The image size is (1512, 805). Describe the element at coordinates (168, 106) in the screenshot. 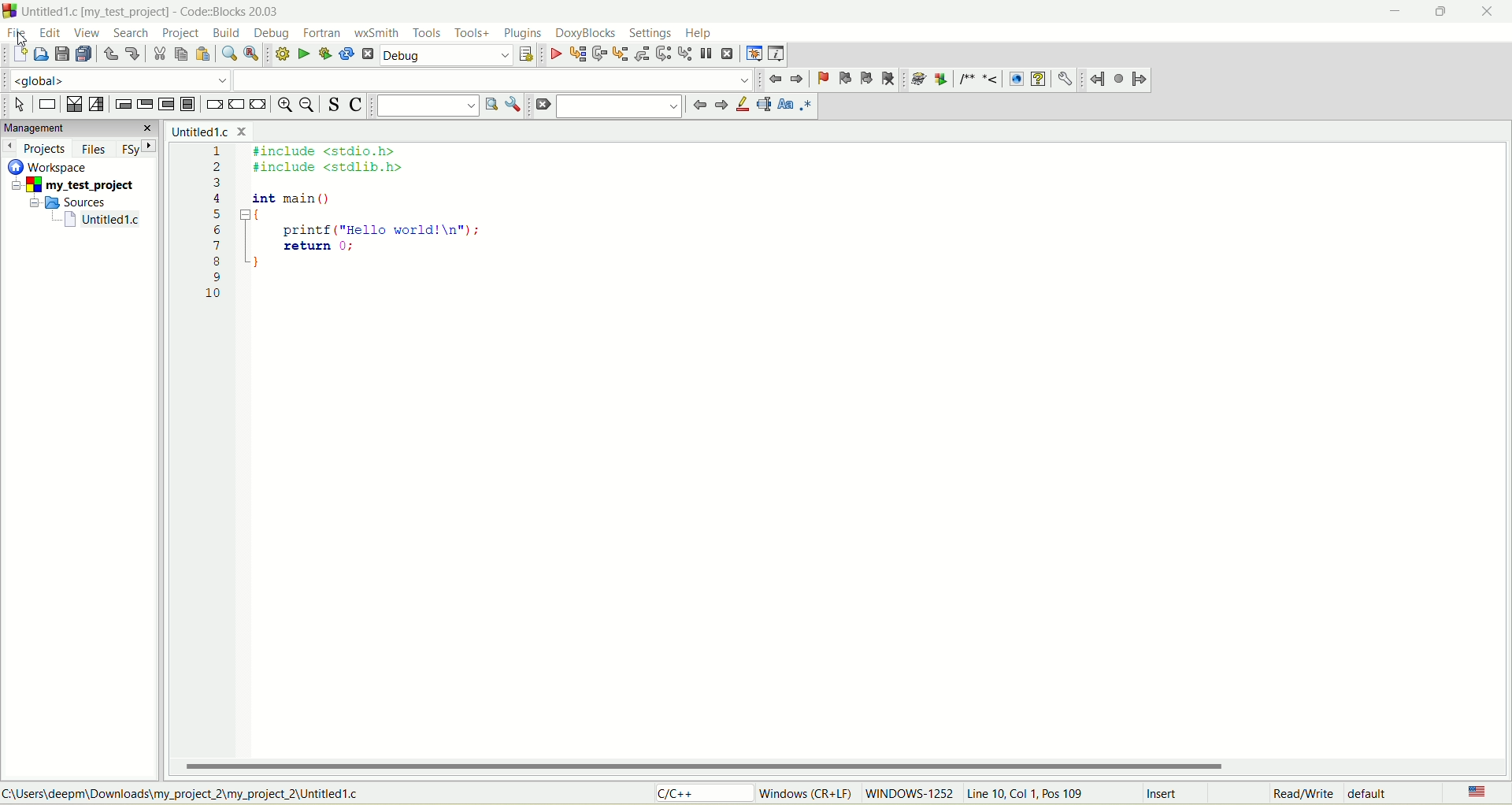

I see `counting loop` at that location.